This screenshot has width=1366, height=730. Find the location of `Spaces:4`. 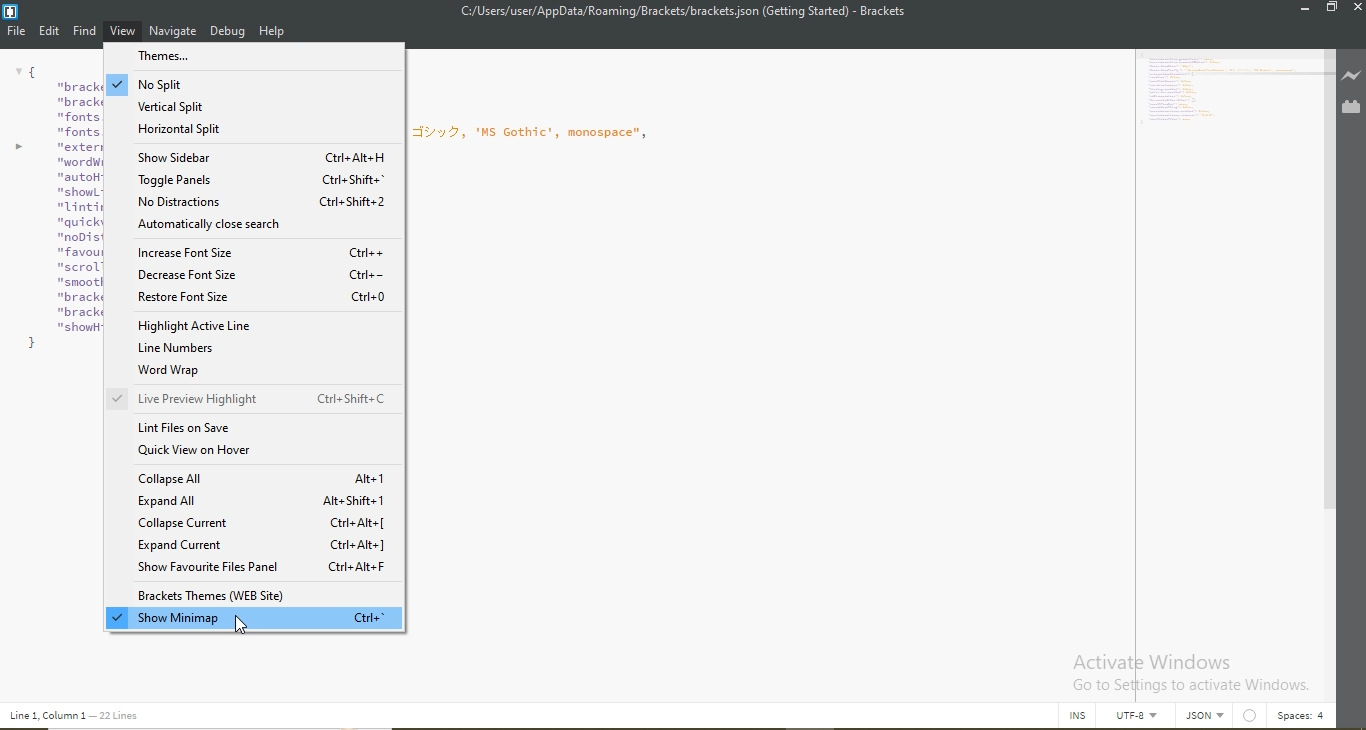

Spaces:4 is located at coordinates (1301, 716).